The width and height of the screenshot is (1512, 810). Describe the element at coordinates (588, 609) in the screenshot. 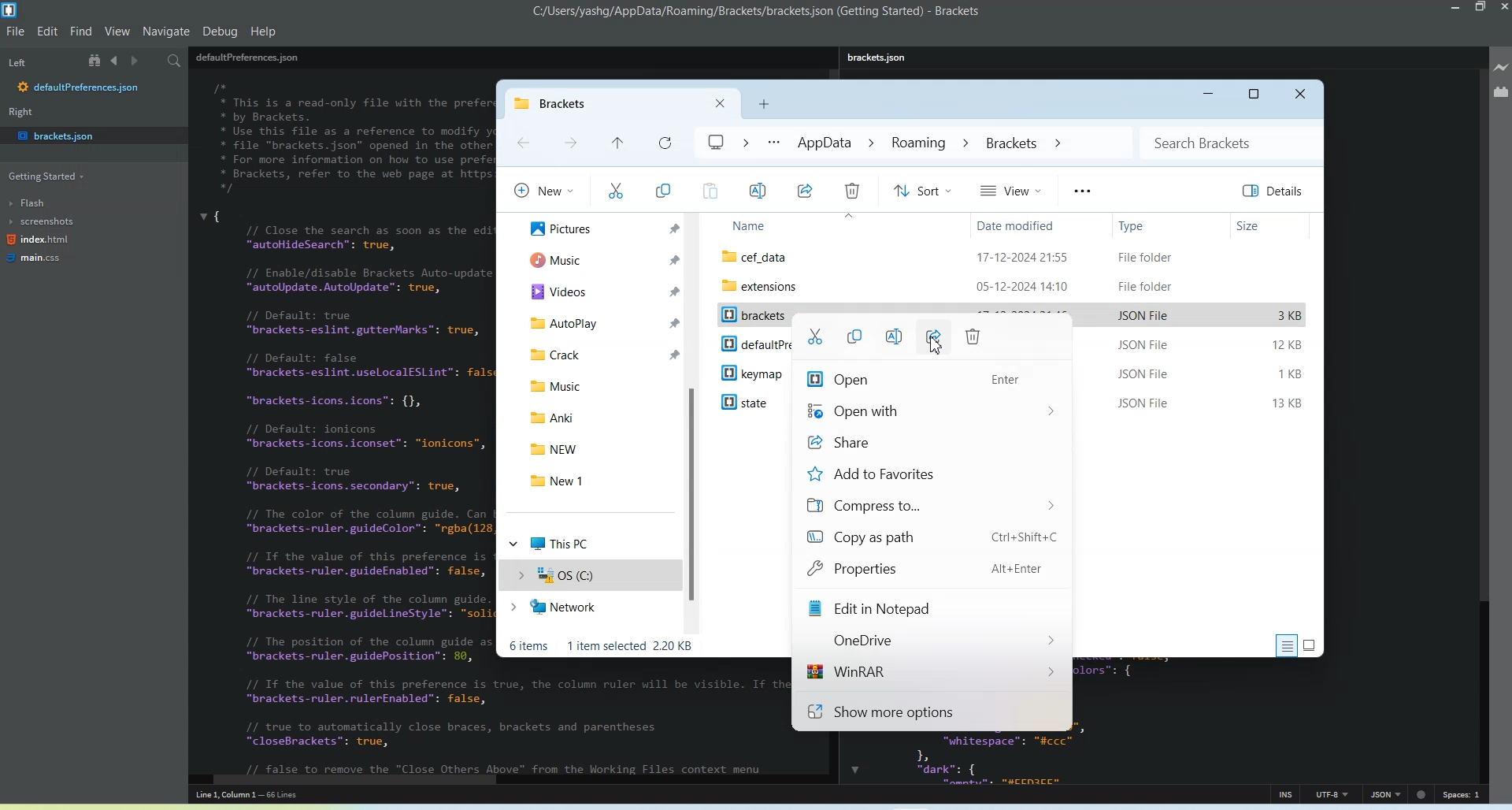

I see `Network` at that location.